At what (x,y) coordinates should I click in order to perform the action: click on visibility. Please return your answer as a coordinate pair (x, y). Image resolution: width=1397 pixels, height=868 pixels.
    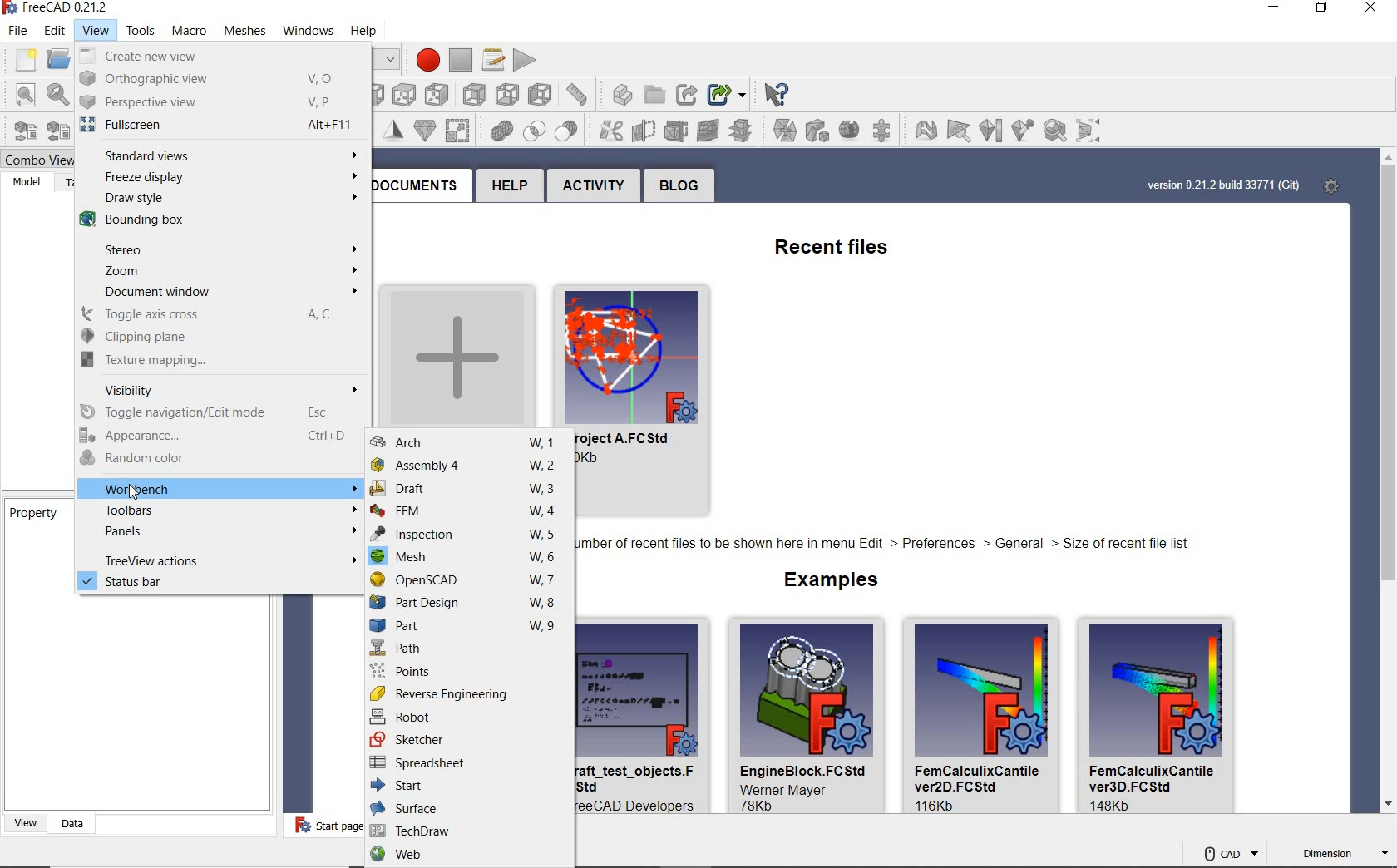
    Looking at the image, I should click on (218, 388).